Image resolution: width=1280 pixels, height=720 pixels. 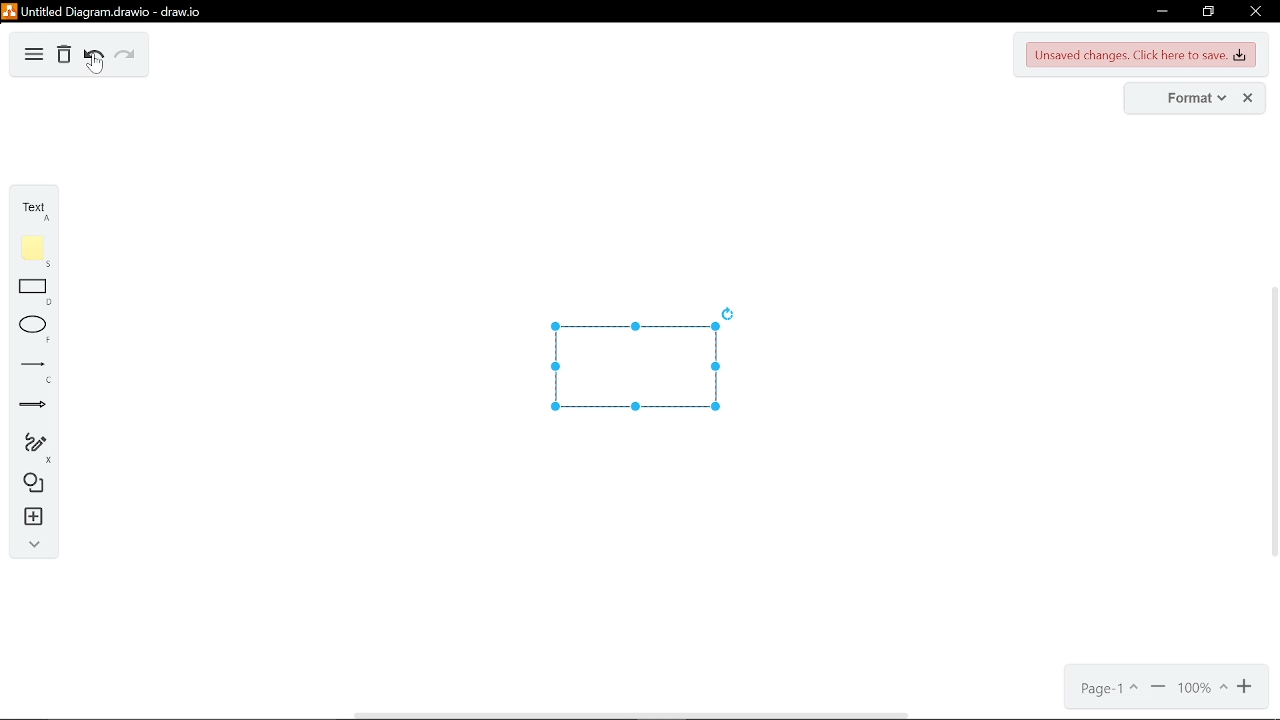 I want to click on rotate the diagram, so click(x=729, y=312).